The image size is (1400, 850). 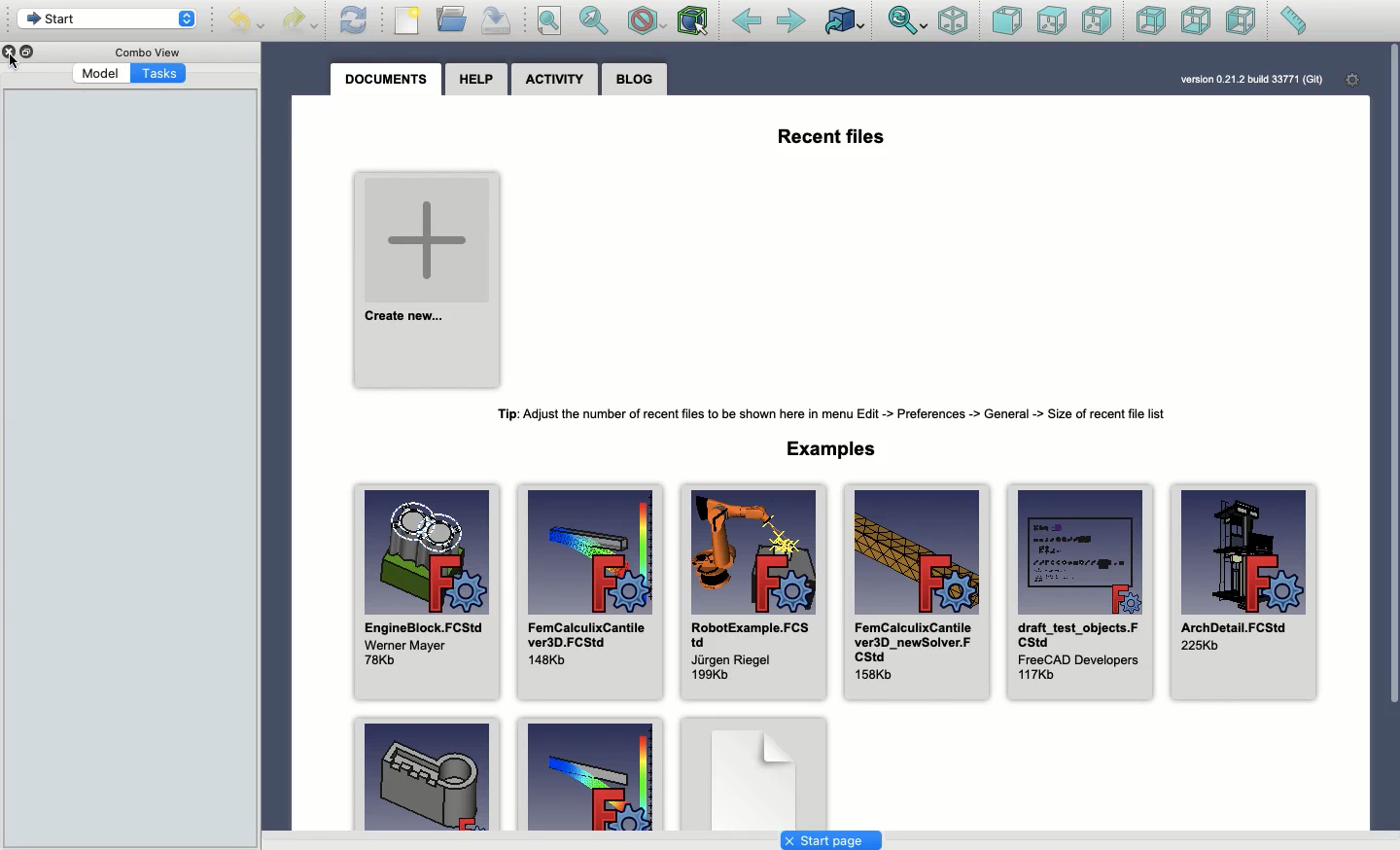 I want to click on Measure, so click(x=1298, y=20).